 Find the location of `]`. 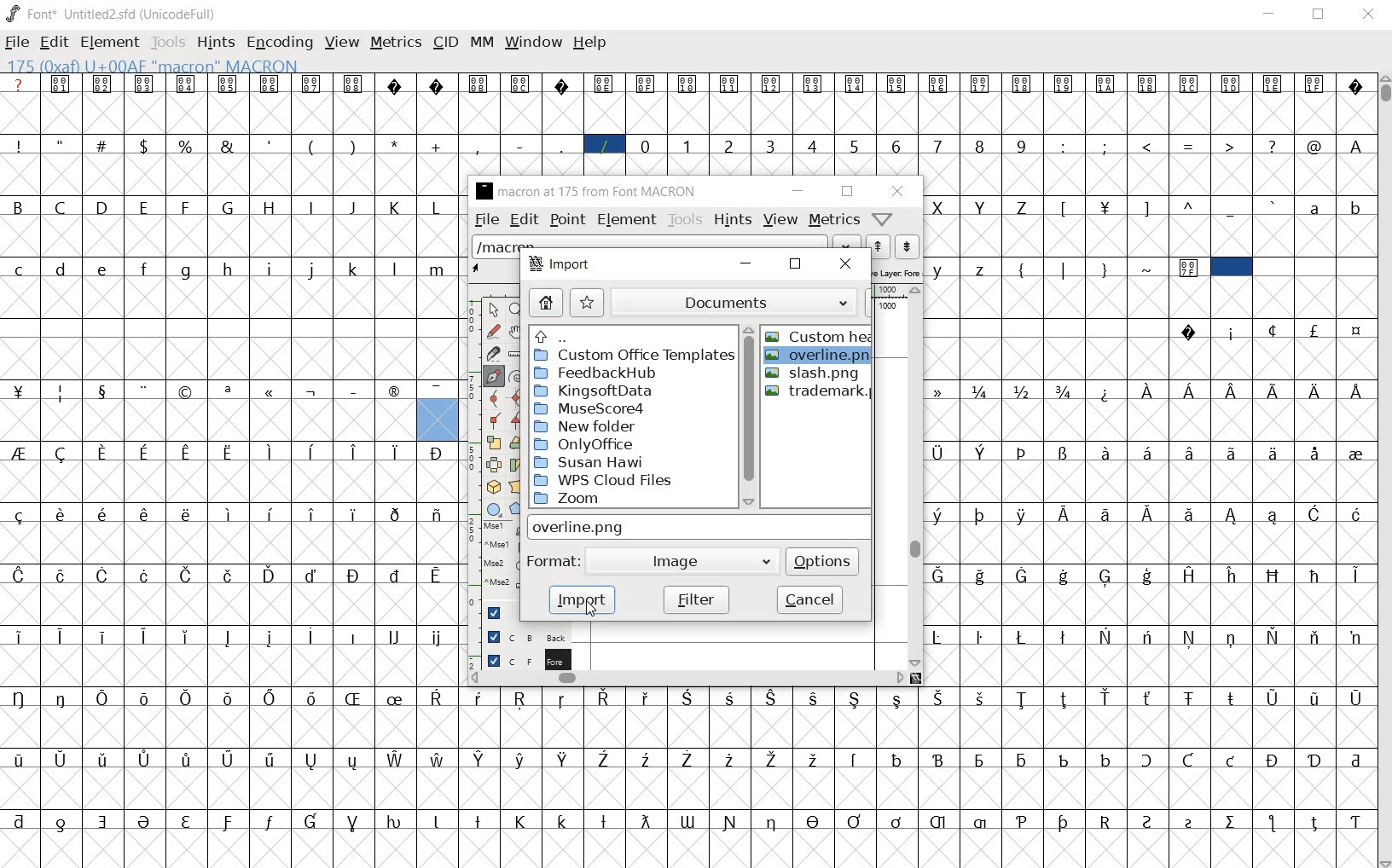

] is located at coordinates (1147, 206).